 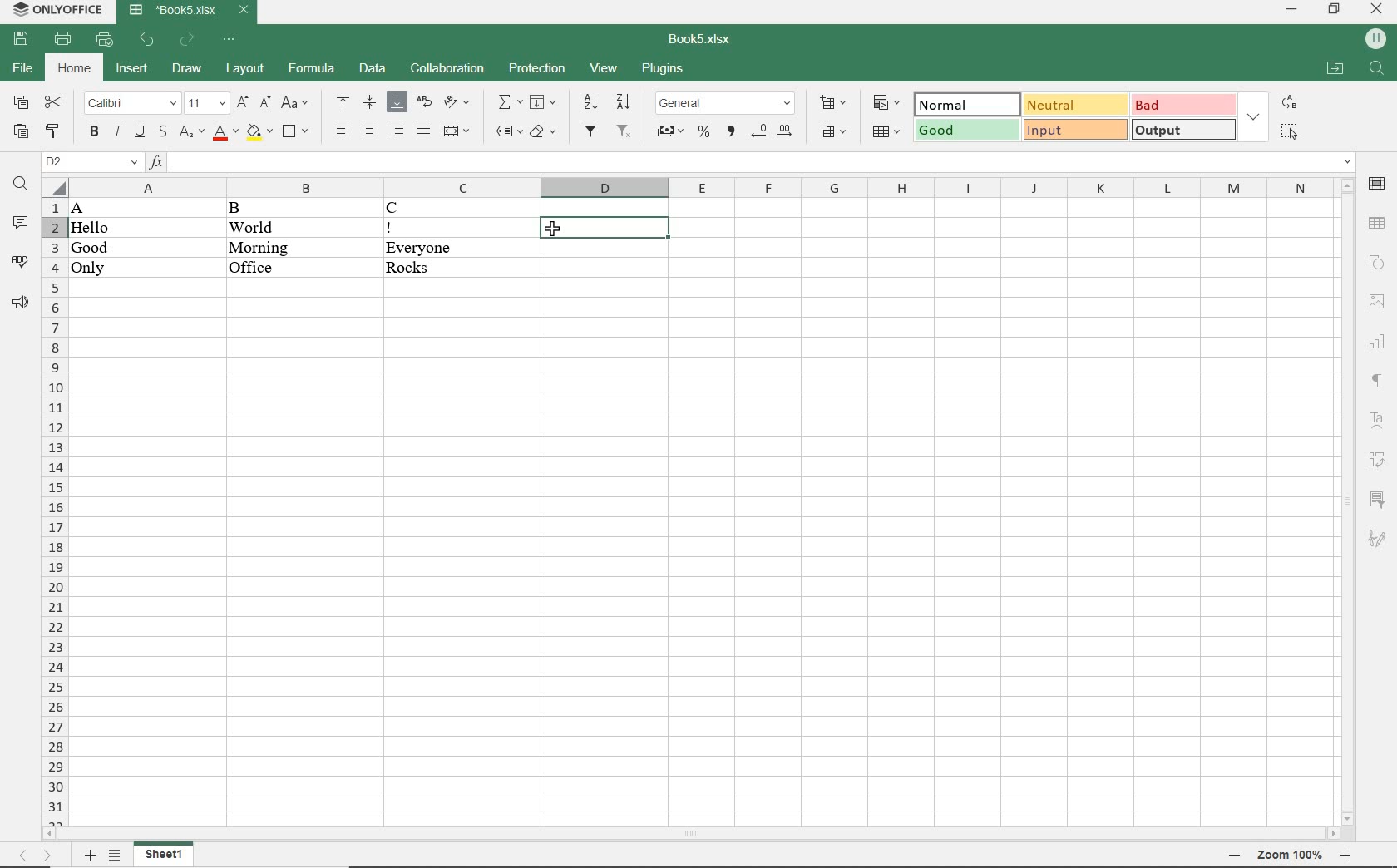 I want to click on open file location, so click(x=1334, y=70).